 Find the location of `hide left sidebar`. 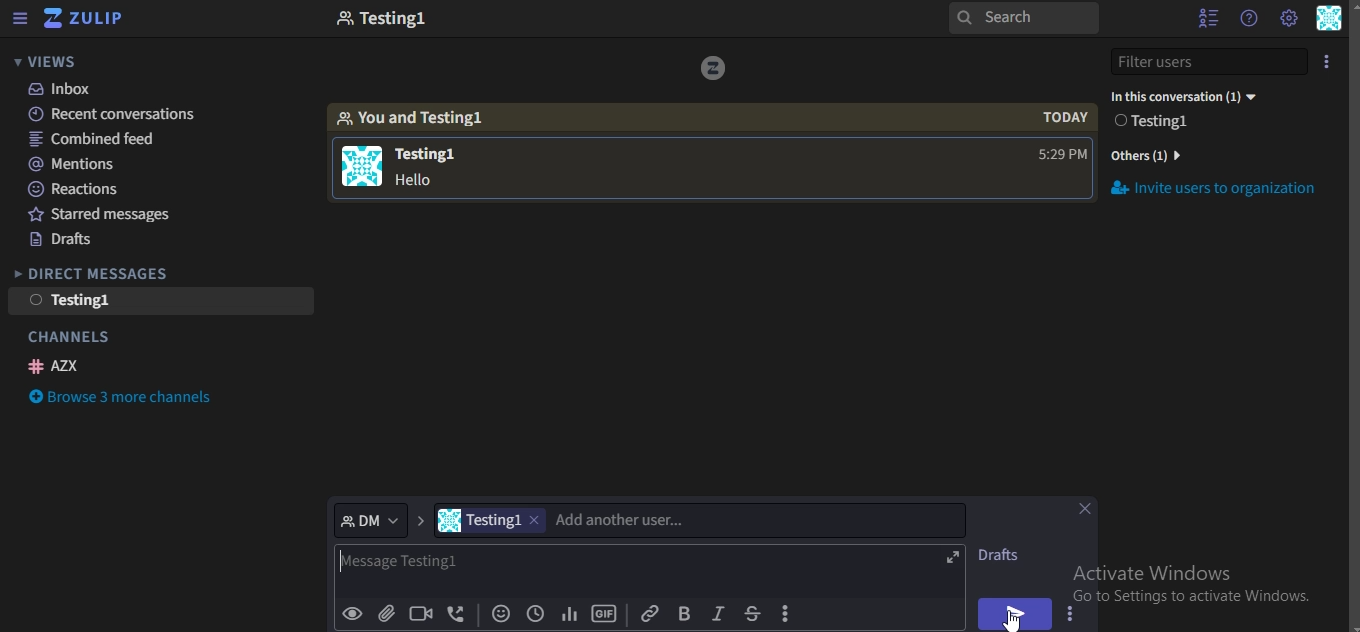

hide left sidebar is located at coordinates (20, 20).